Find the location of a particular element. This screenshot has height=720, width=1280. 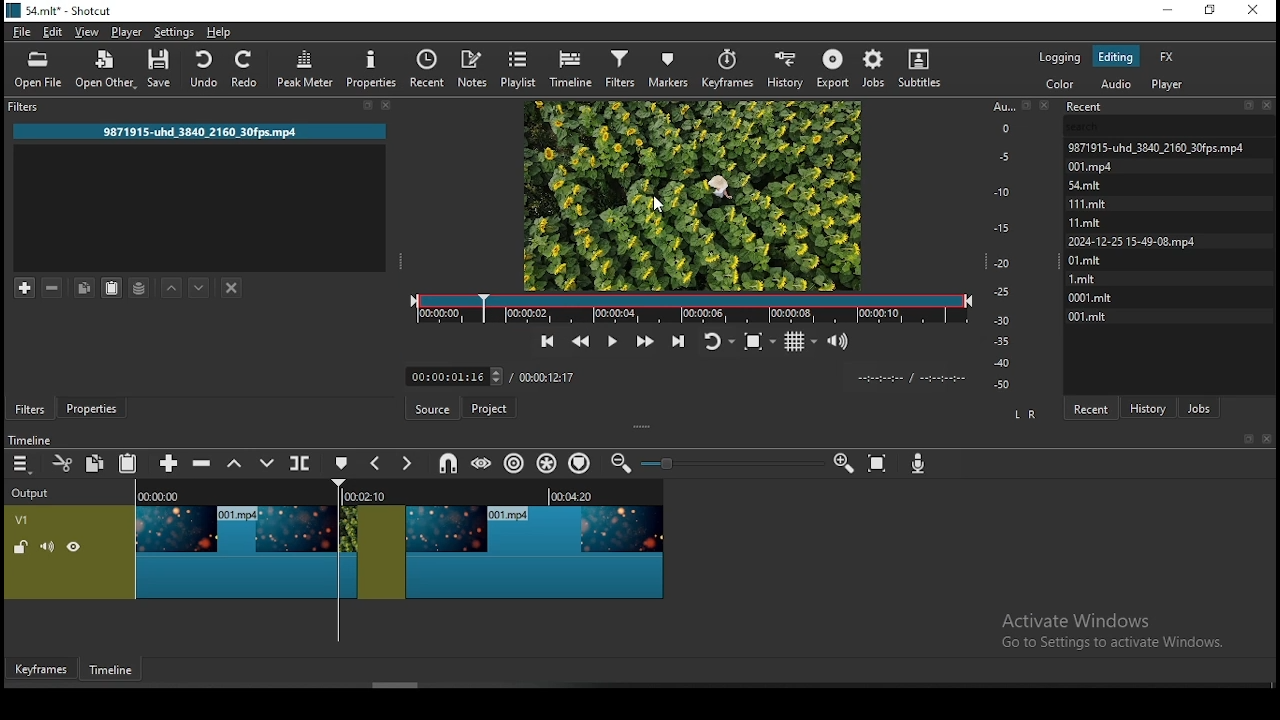

ripple markers is located at coordinates (579, 462).